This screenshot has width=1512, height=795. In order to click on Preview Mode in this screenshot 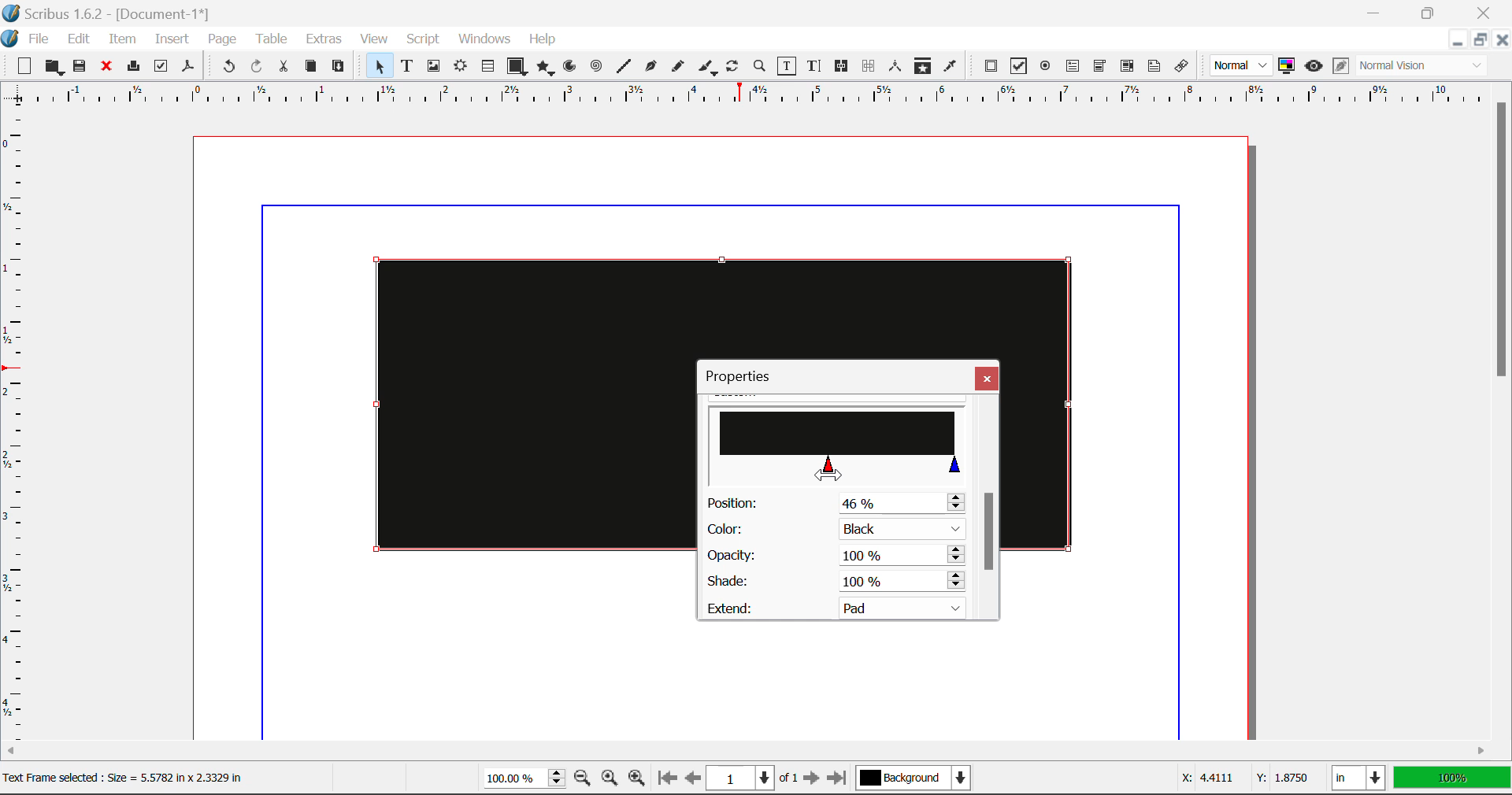, I will do `click(1314, 66)`.